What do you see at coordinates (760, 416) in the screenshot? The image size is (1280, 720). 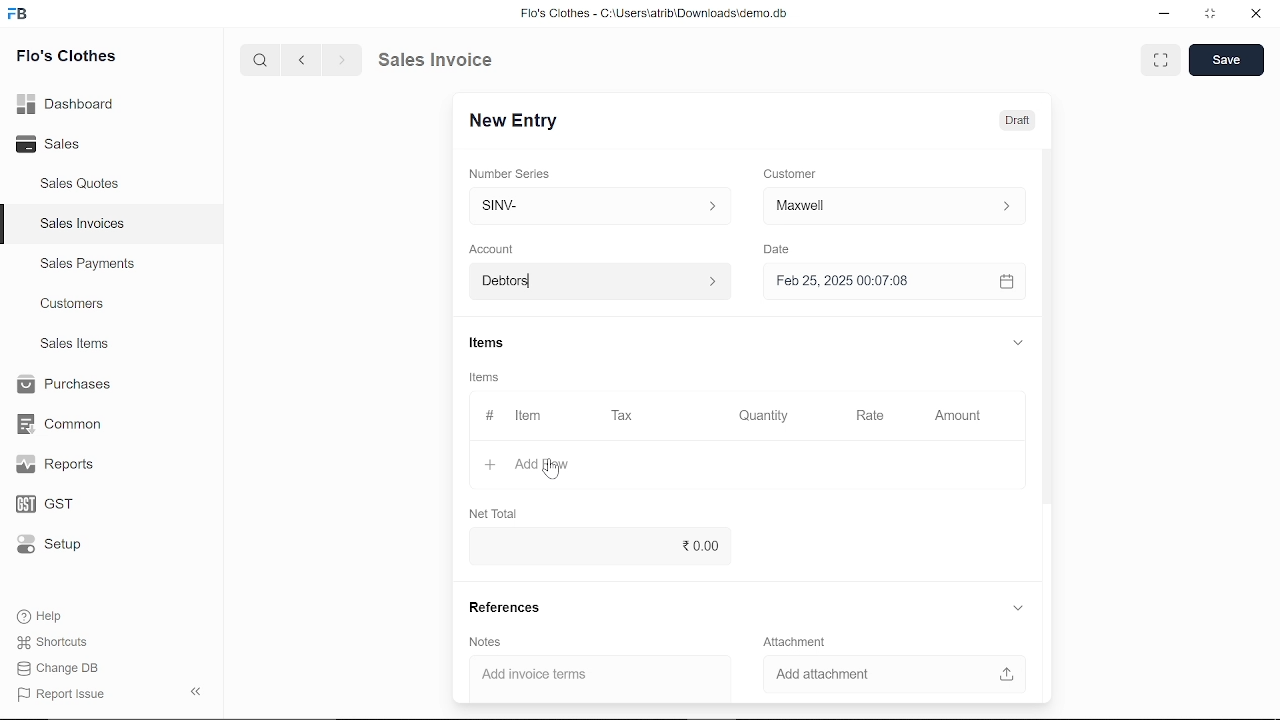 I see ` Quantity` at bounding box center [760, 416].